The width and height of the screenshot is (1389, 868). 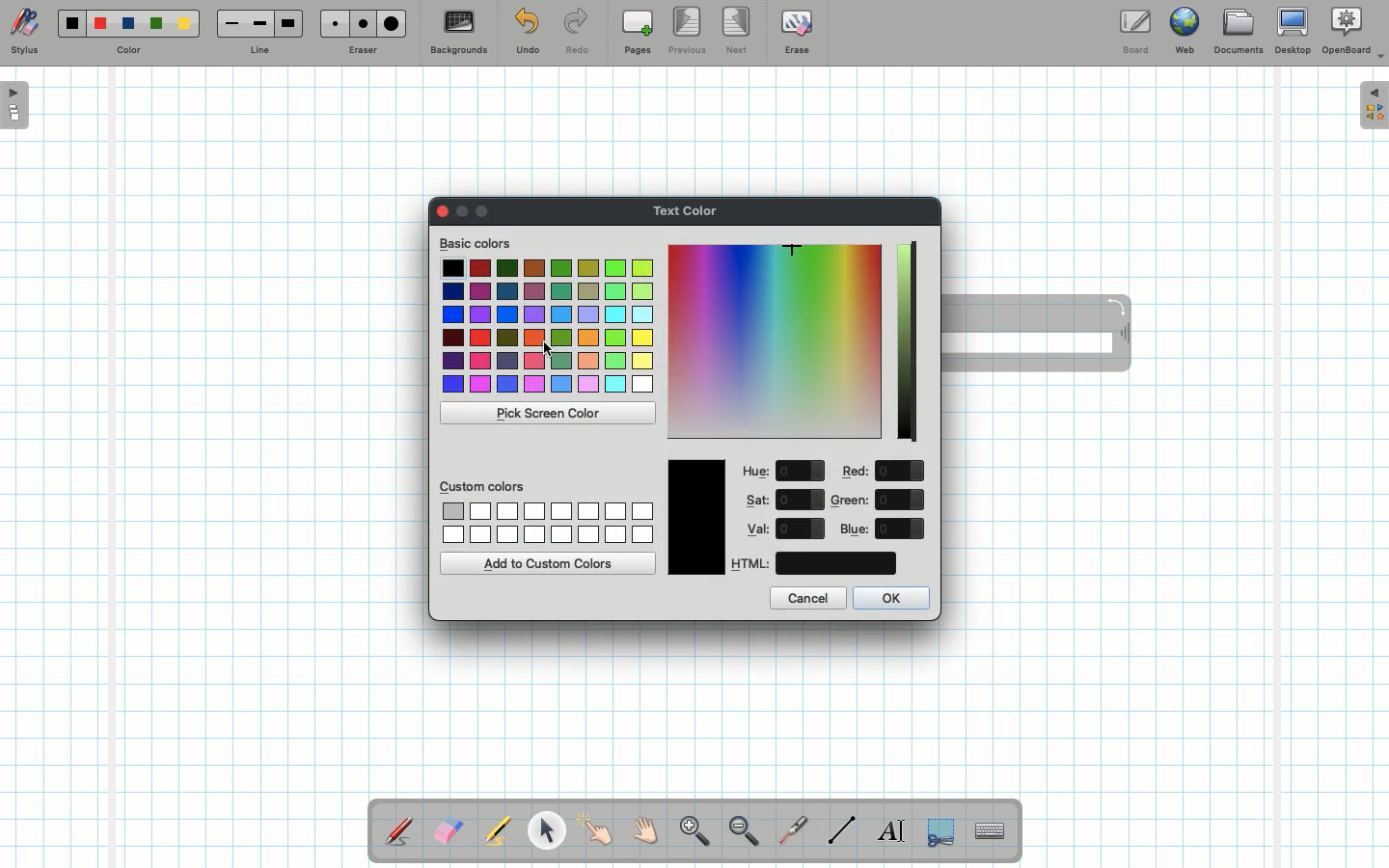 I want to click on Line, so click(x=259, y=51).